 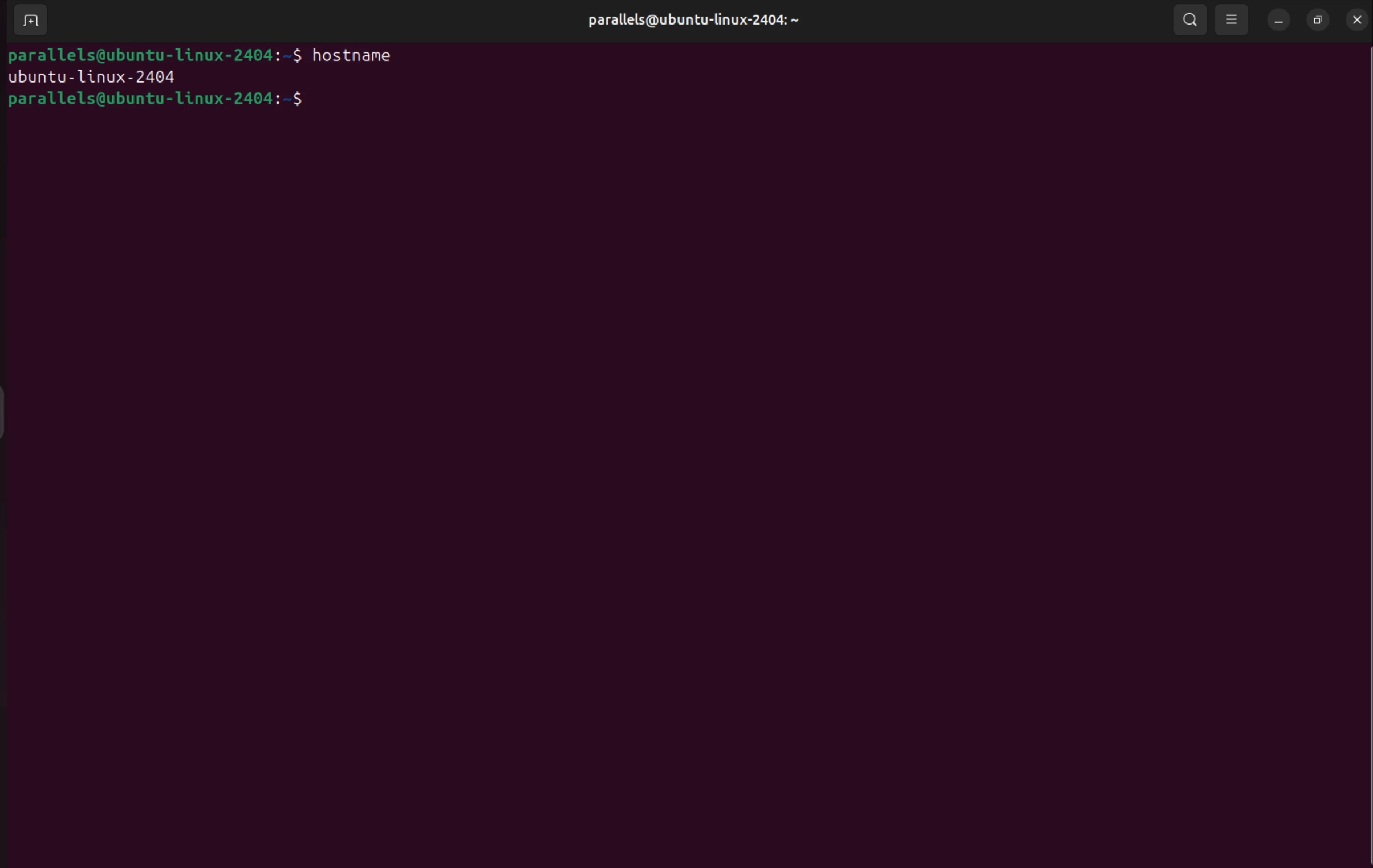 I want to click on add terminals, so click(x=30, y=19).